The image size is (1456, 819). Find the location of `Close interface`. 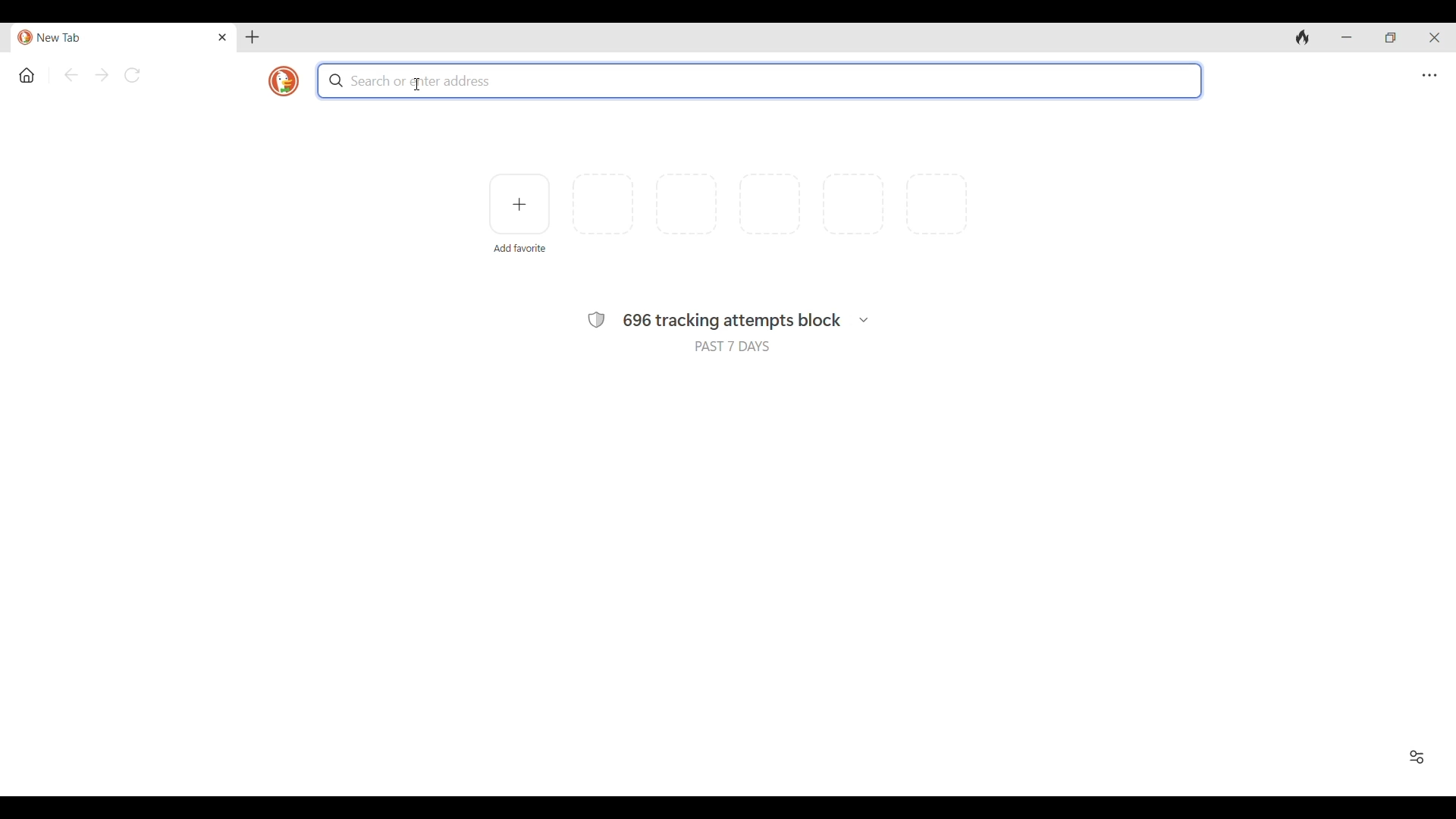

Close interface is located at coordinates (1434, 37).